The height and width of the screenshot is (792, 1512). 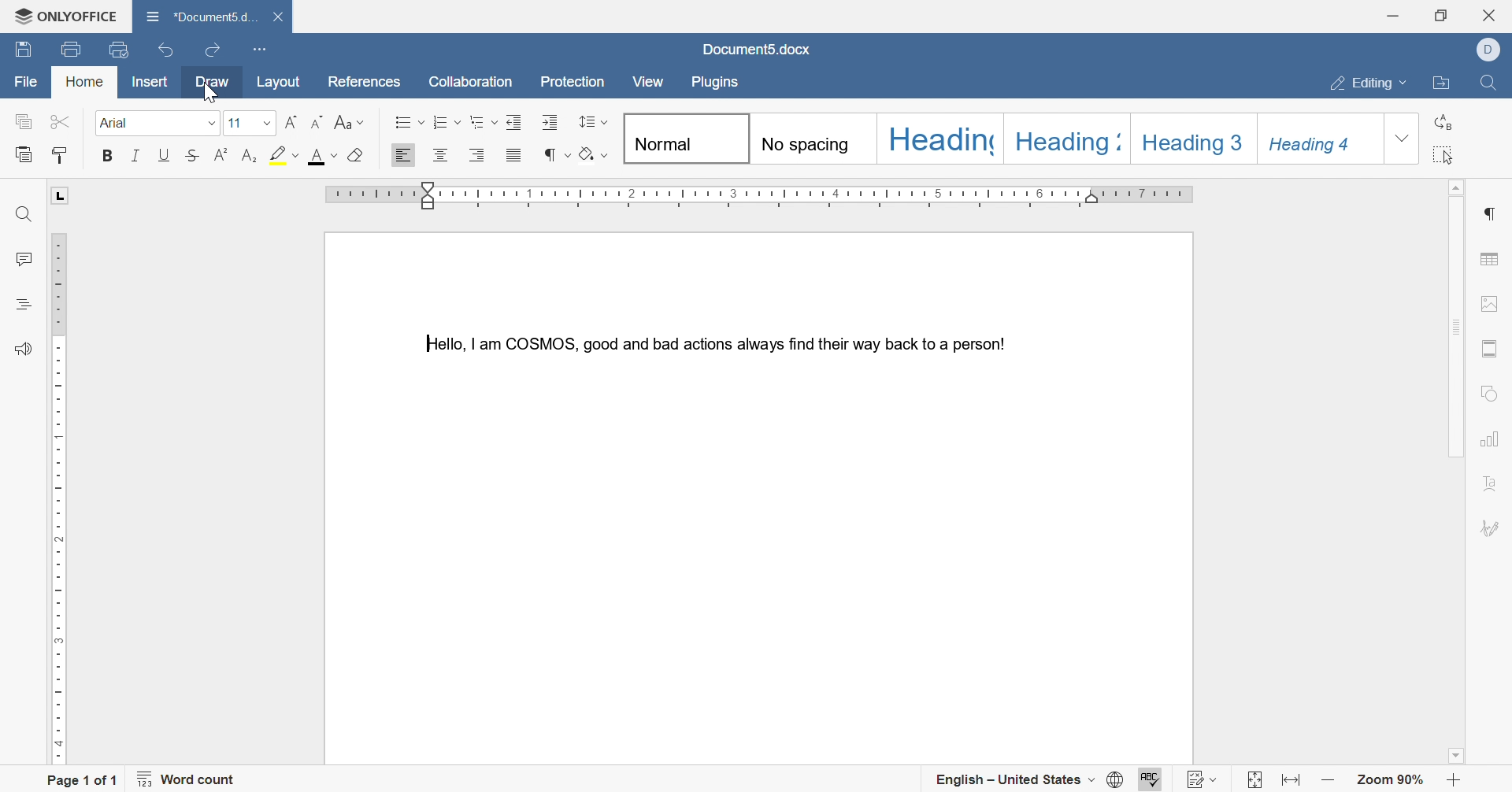 What do you see at coordinates (22, 350) in the screenshot?
I see `feedback and support` at bounding box center [22, 350].